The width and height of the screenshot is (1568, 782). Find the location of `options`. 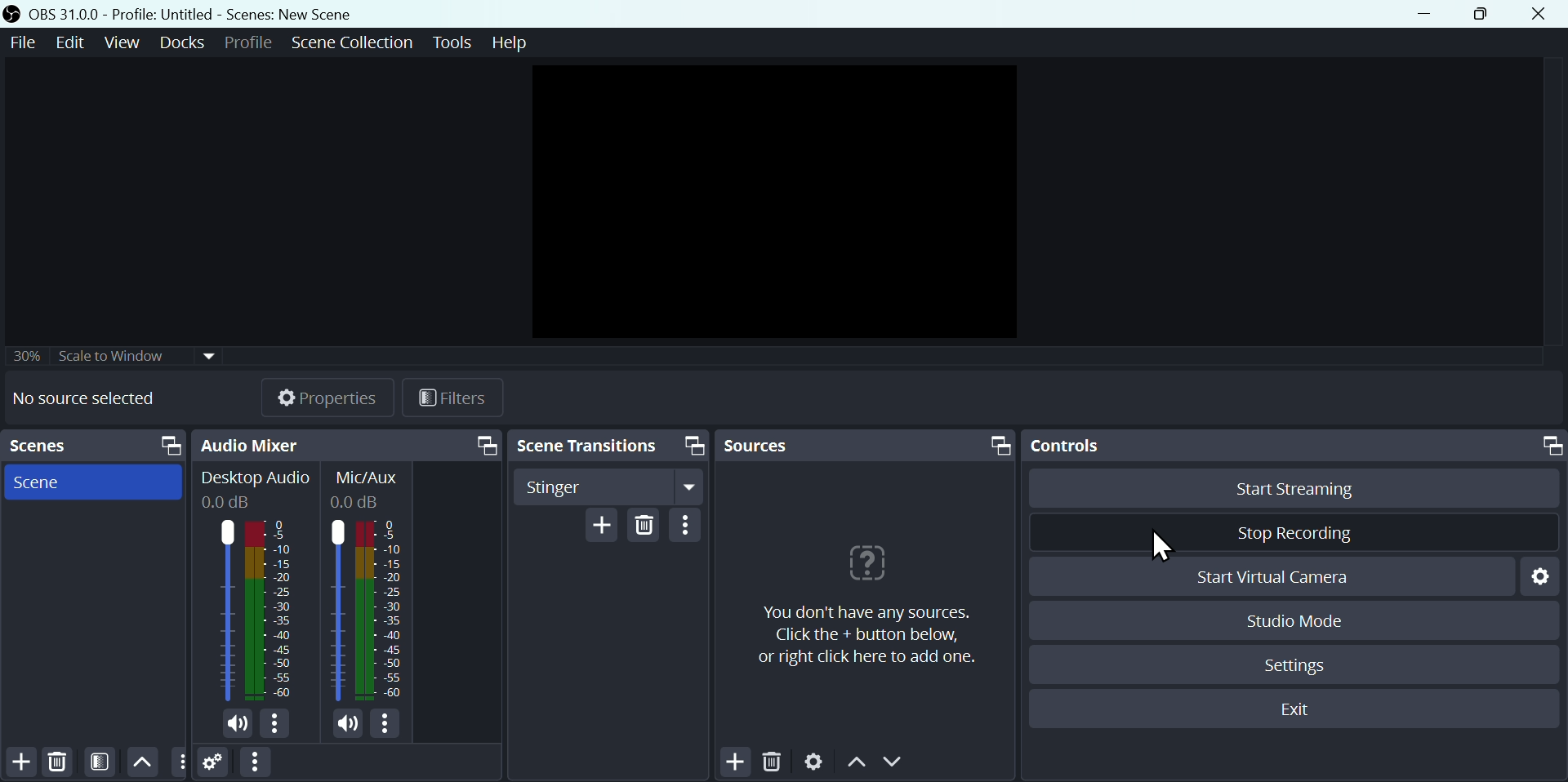

options is located at coordinates (688, 526).